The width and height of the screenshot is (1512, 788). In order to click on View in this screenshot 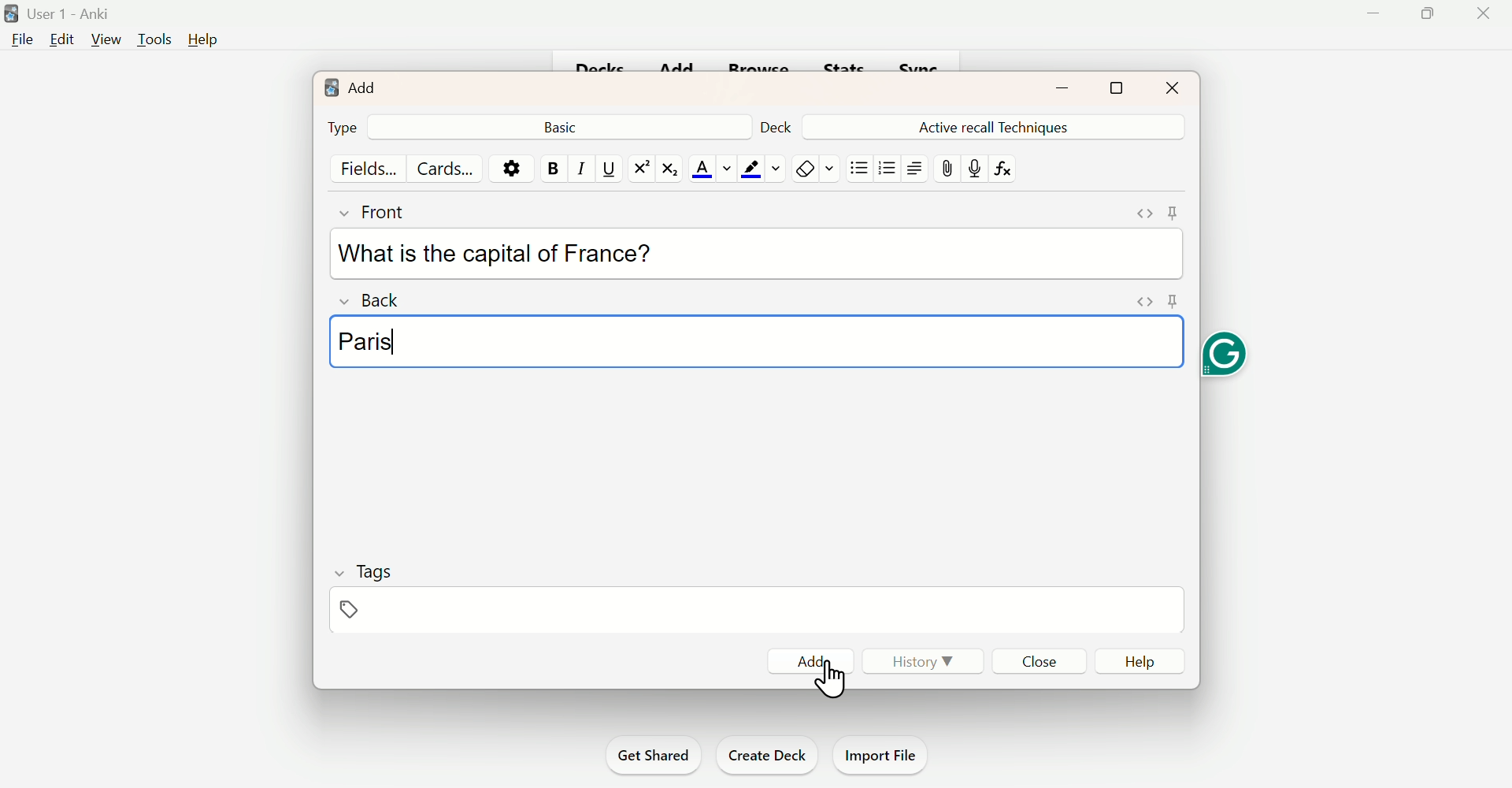, I will do `click(102, 40)`.